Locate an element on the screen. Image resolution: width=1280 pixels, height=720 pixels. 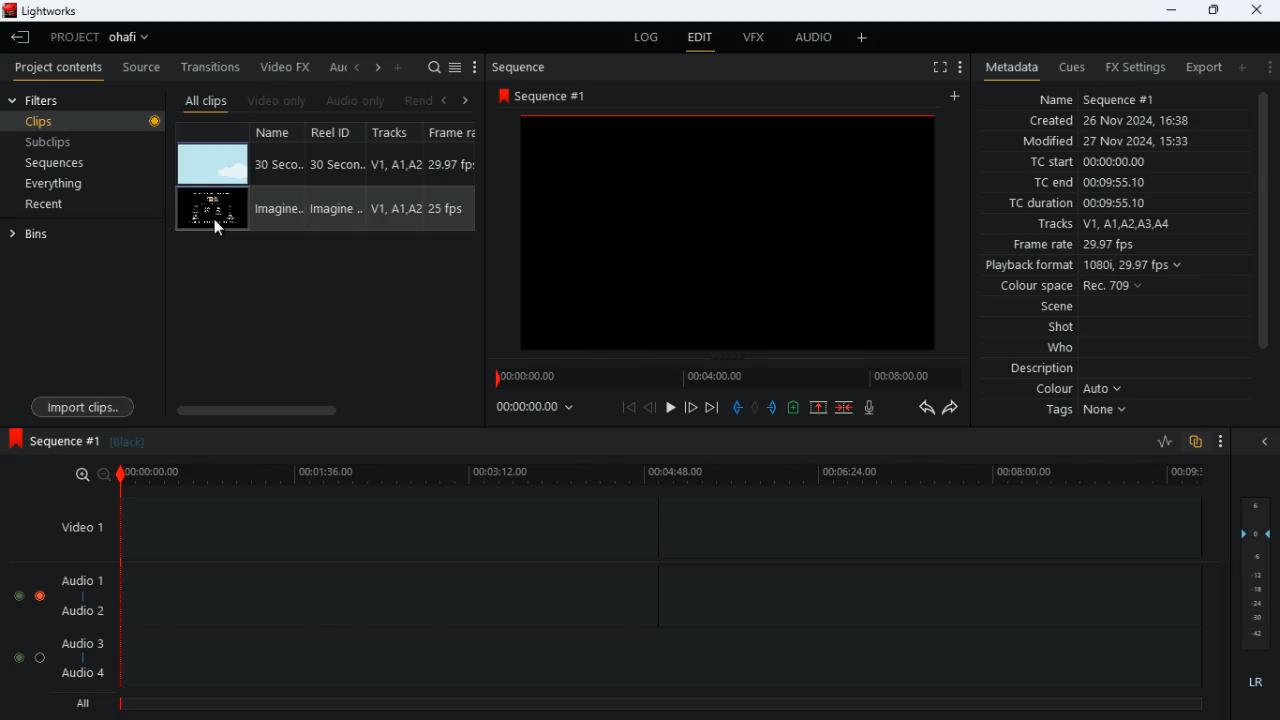
metadata is located at coordinates (1008, 66).